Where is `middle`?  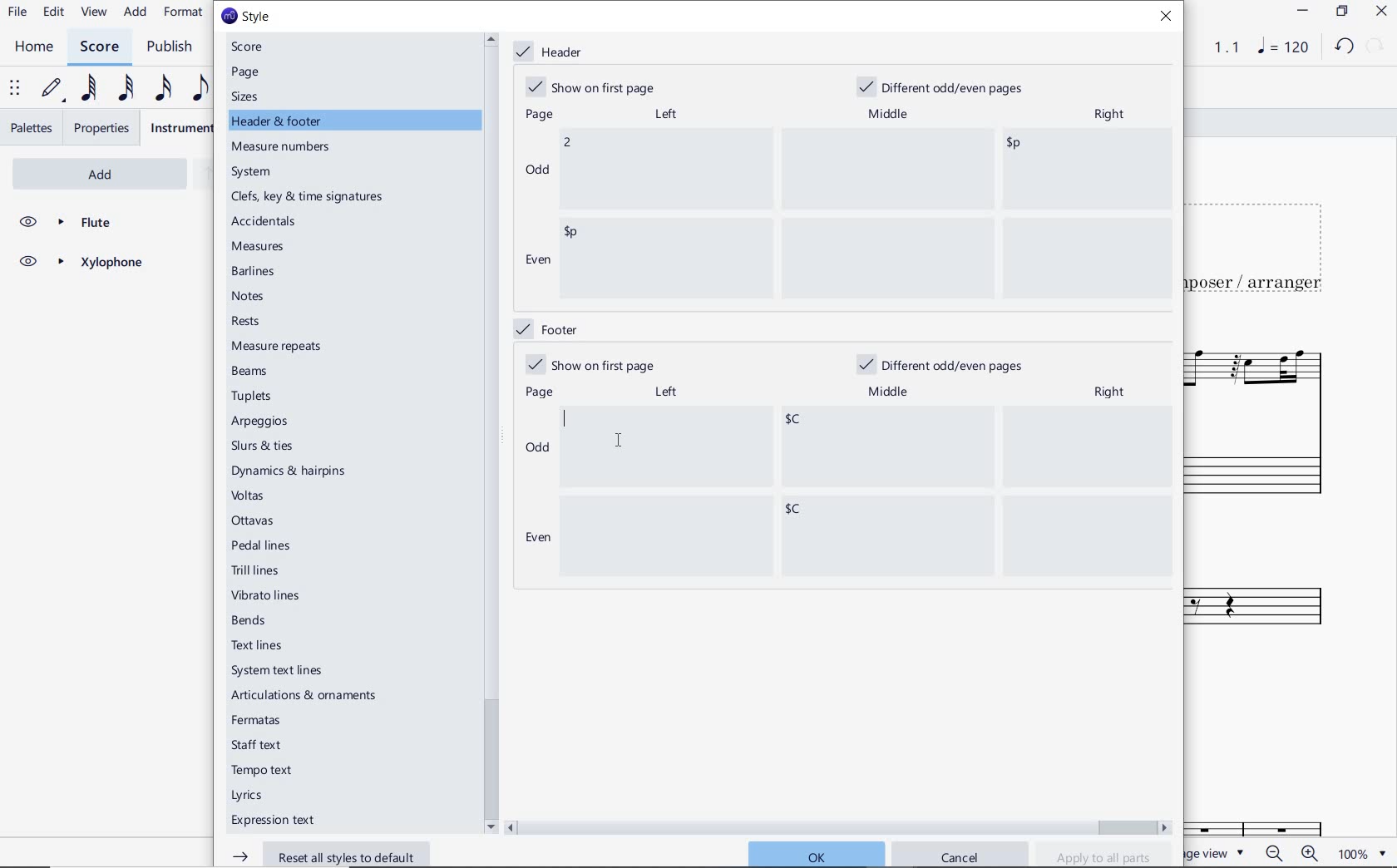
middle is located at coordinates (891, 392).